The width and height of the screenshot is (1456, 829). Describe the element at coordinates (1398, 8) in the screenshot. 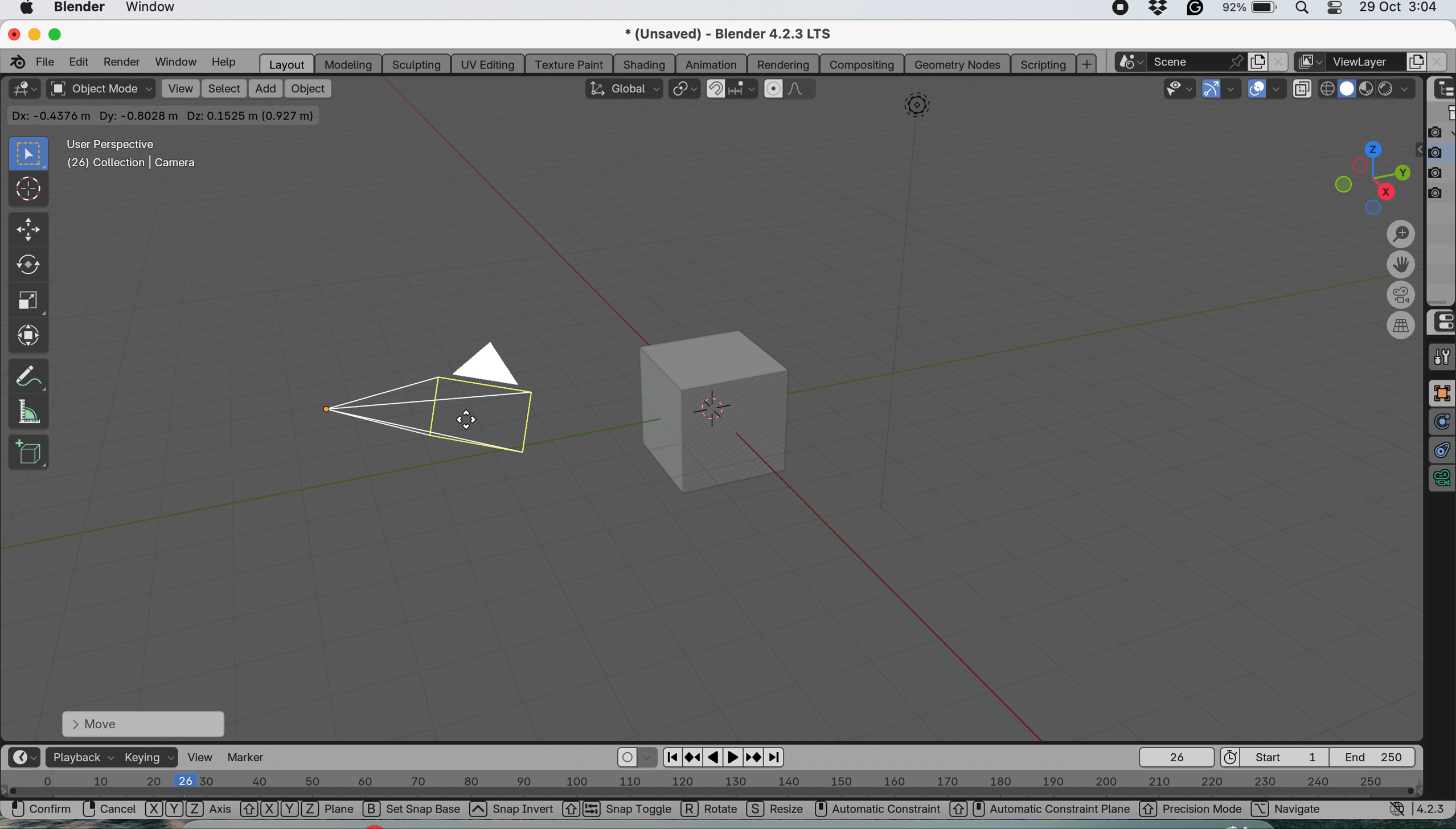

I see `29 Oct 3:04` at that location.